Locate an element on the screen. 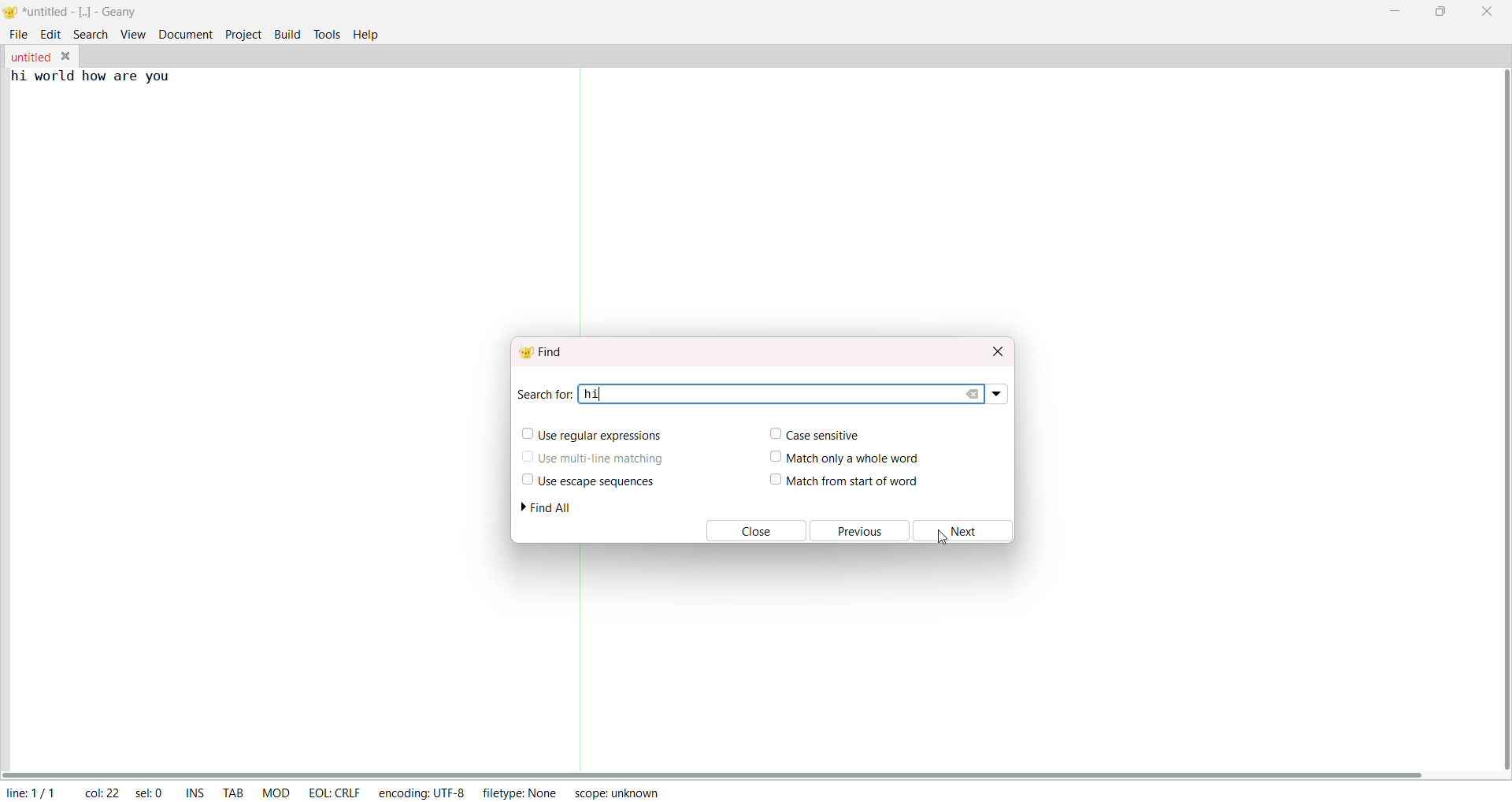  file is located at coordinates (16, 33).